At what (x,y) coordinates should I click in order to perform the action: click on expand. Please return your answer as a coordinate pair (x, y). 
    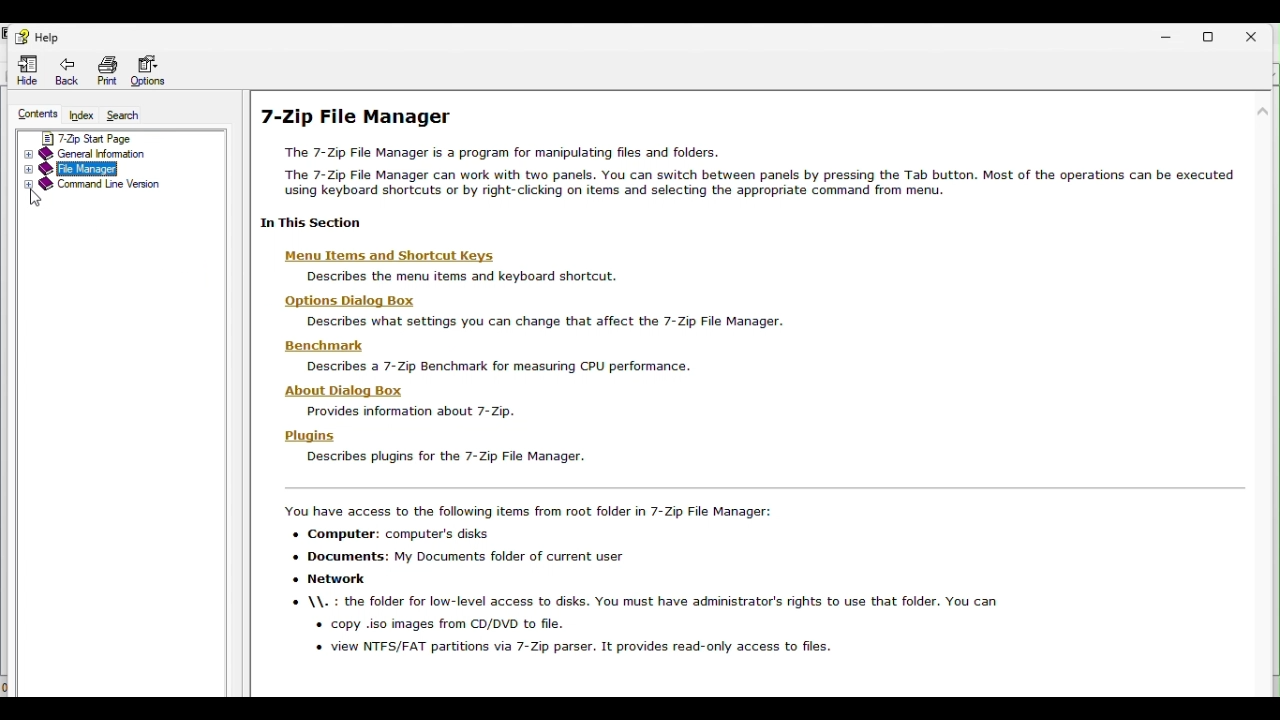
    Looking at the image, I should click on (26, 171).